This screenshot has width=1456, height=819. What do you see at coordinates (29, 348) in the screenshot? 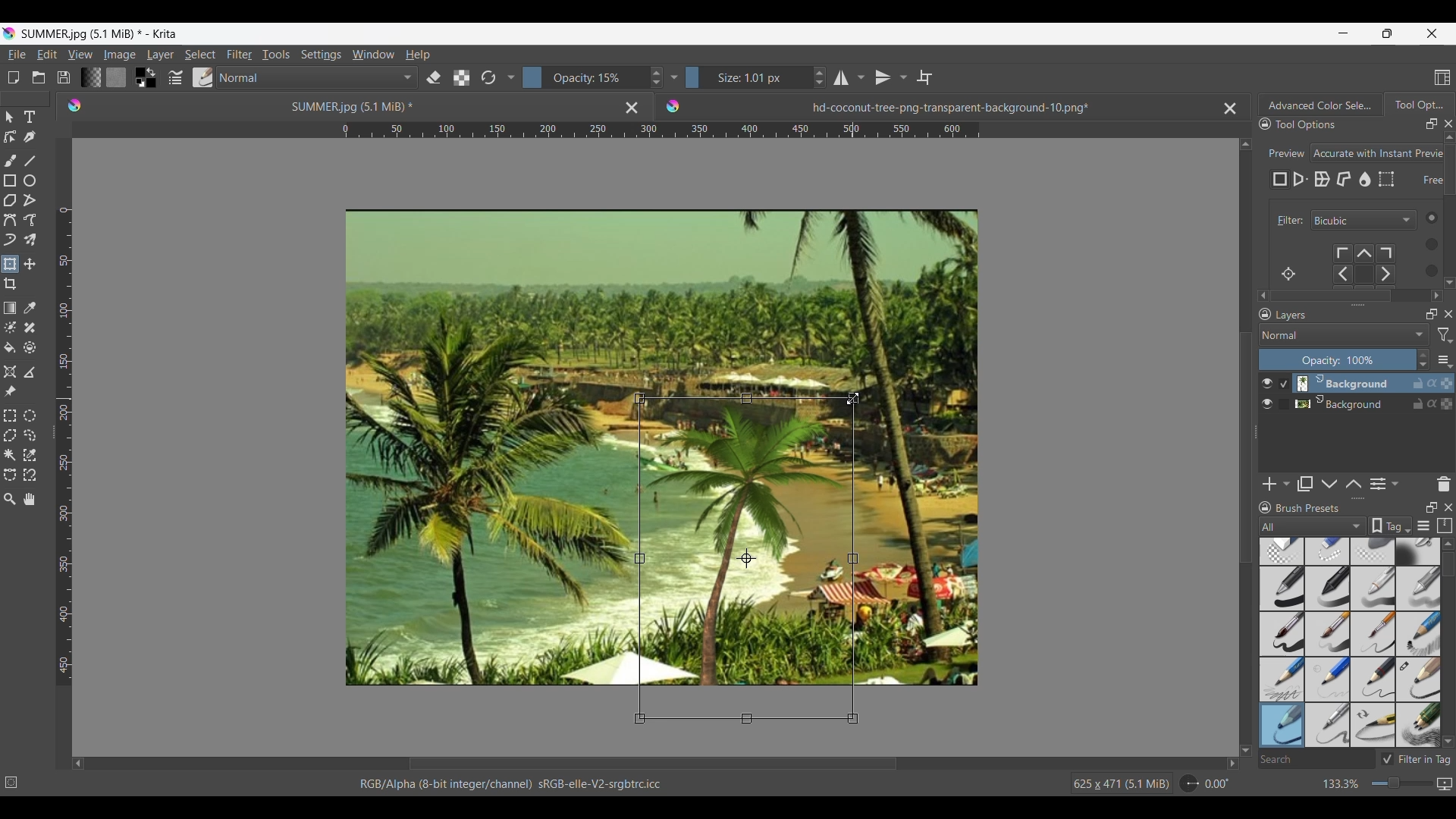
I see `Enclose and fill` at bounding box center [29, 348].